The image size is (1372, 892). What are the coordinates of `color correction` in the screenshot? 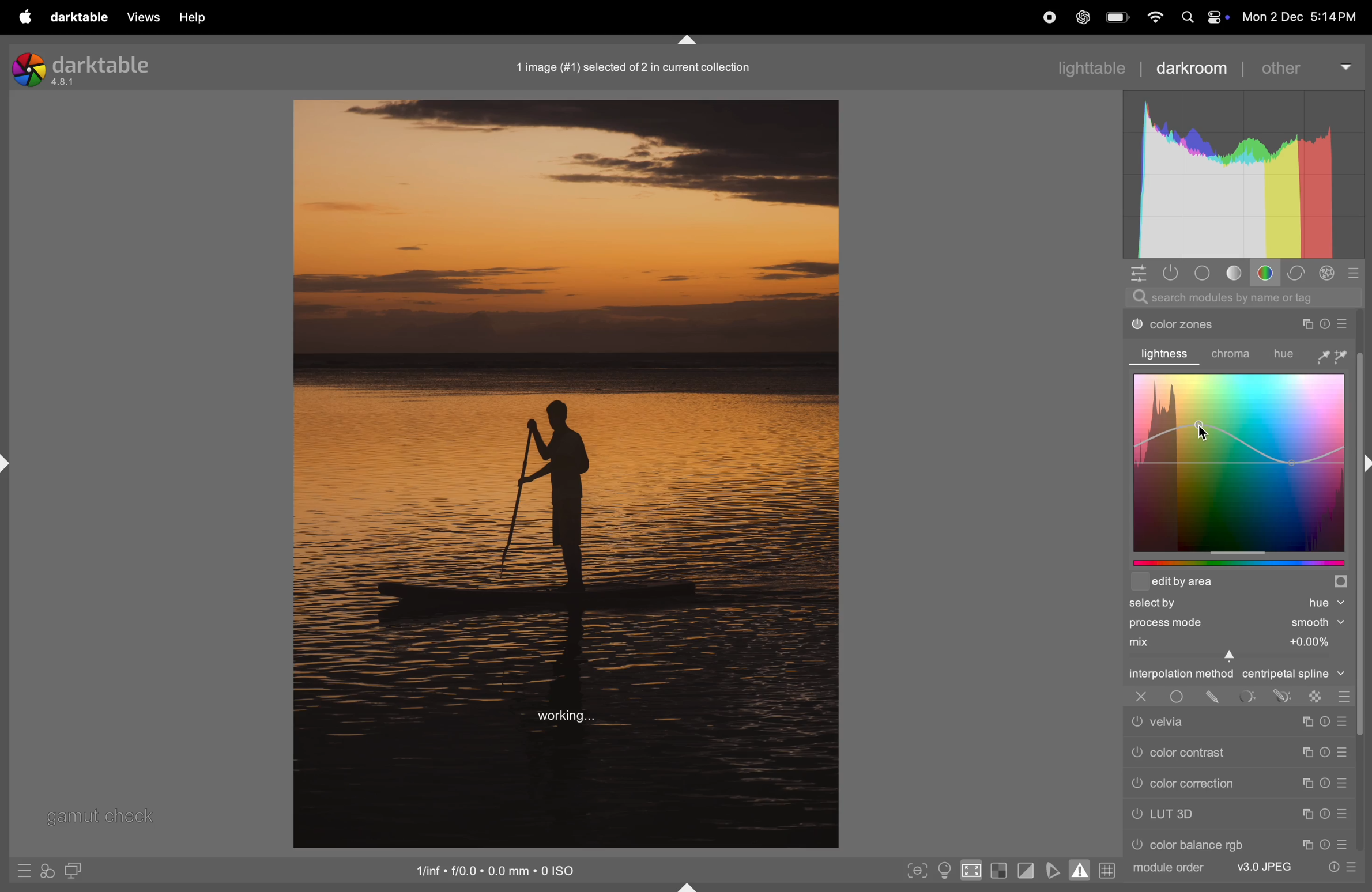 It's located at (1203, 783).